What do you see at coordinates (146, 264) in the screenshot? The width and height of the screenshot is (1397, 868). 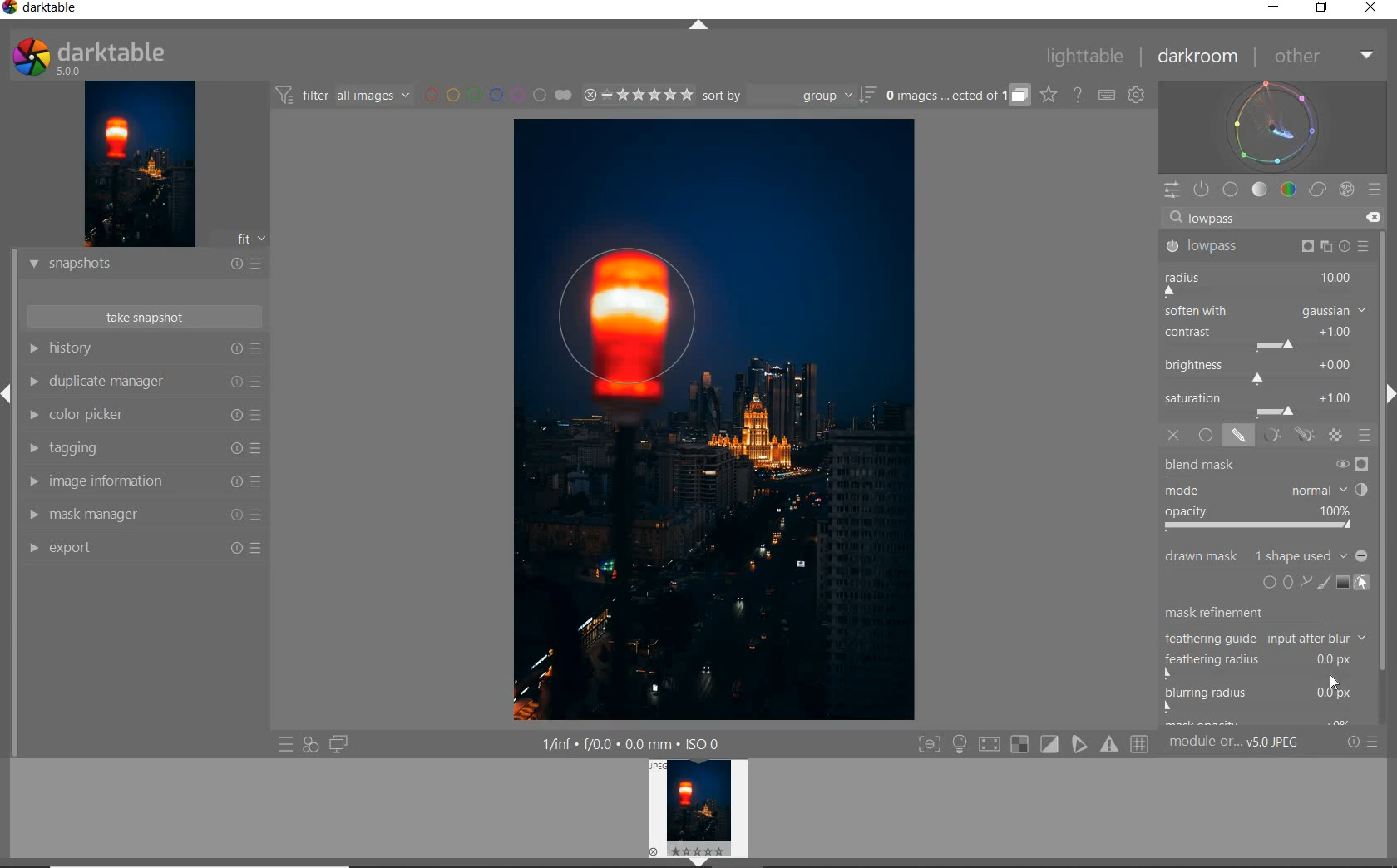 I see `SNAPSHOTS` at bounding box center [146, 264].